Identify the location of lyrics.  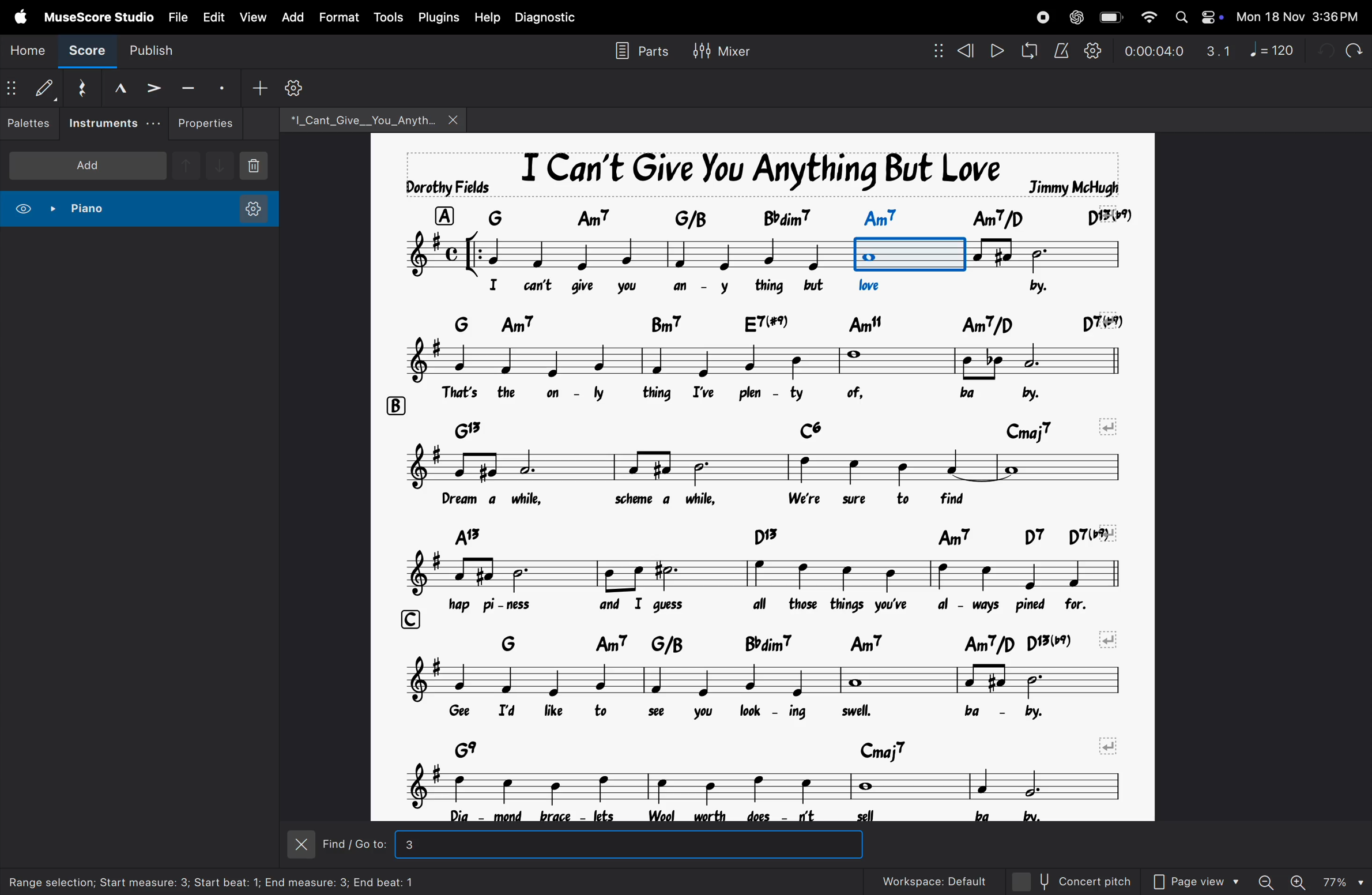
(783, 499).